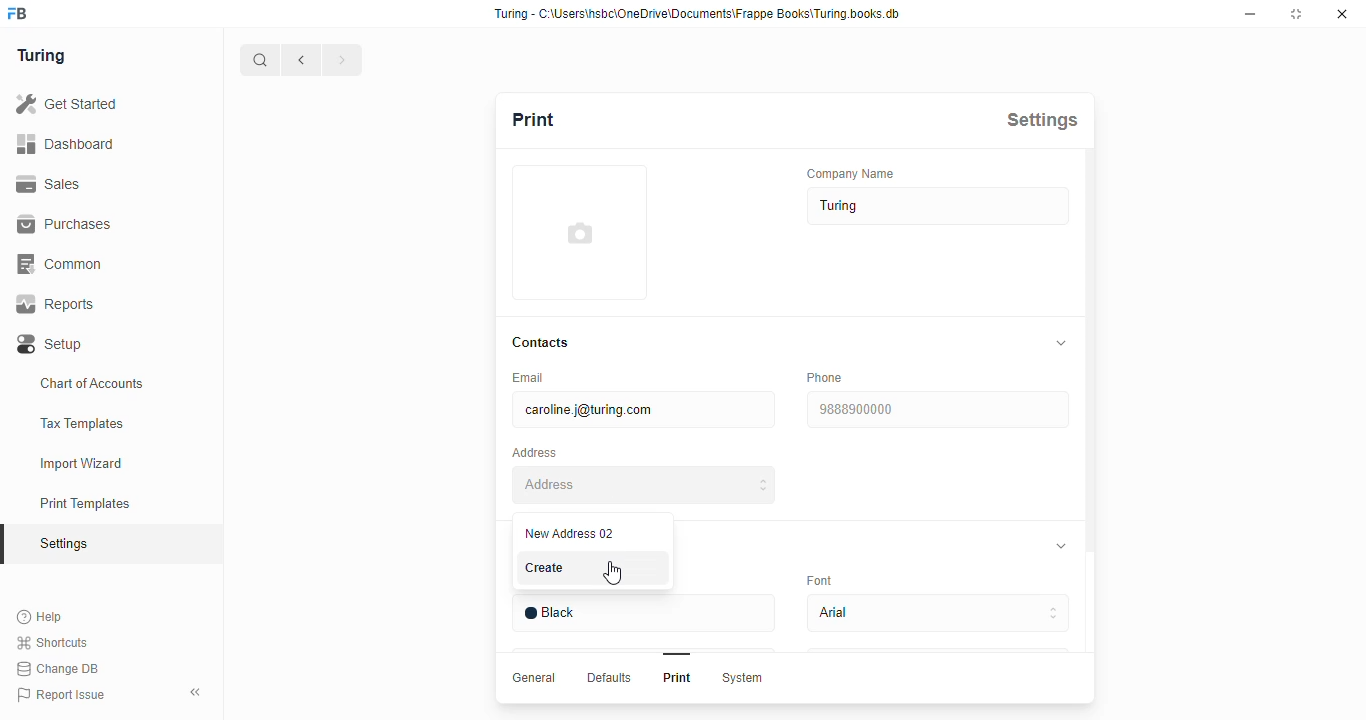 This screenshot has width=1366, height=720. I want to click on toggle sidebar, so click(198, 691).